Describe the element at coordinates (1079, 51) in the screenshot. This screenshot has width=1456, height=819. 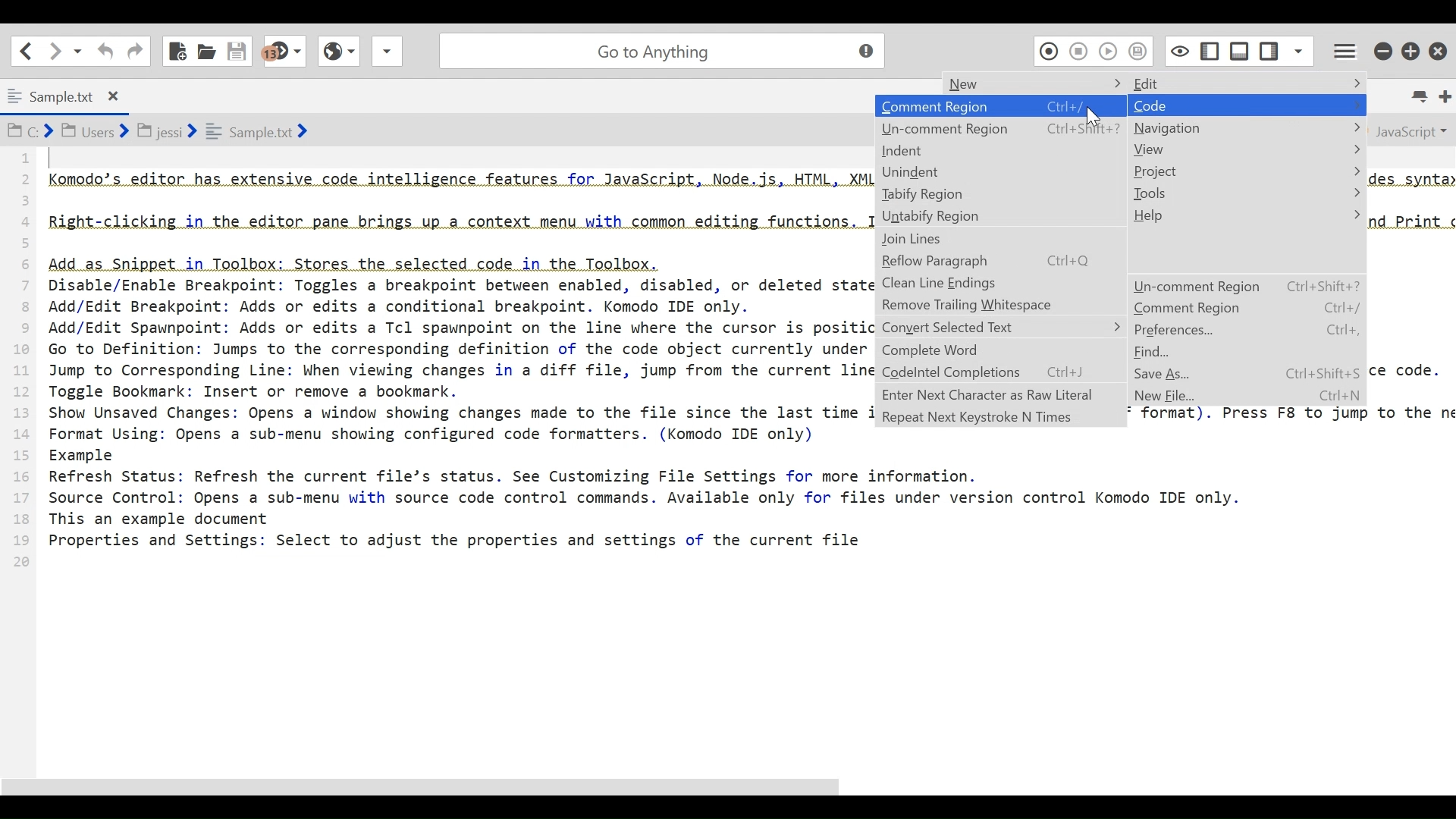
I see `Stop Recording Macro` at that location.